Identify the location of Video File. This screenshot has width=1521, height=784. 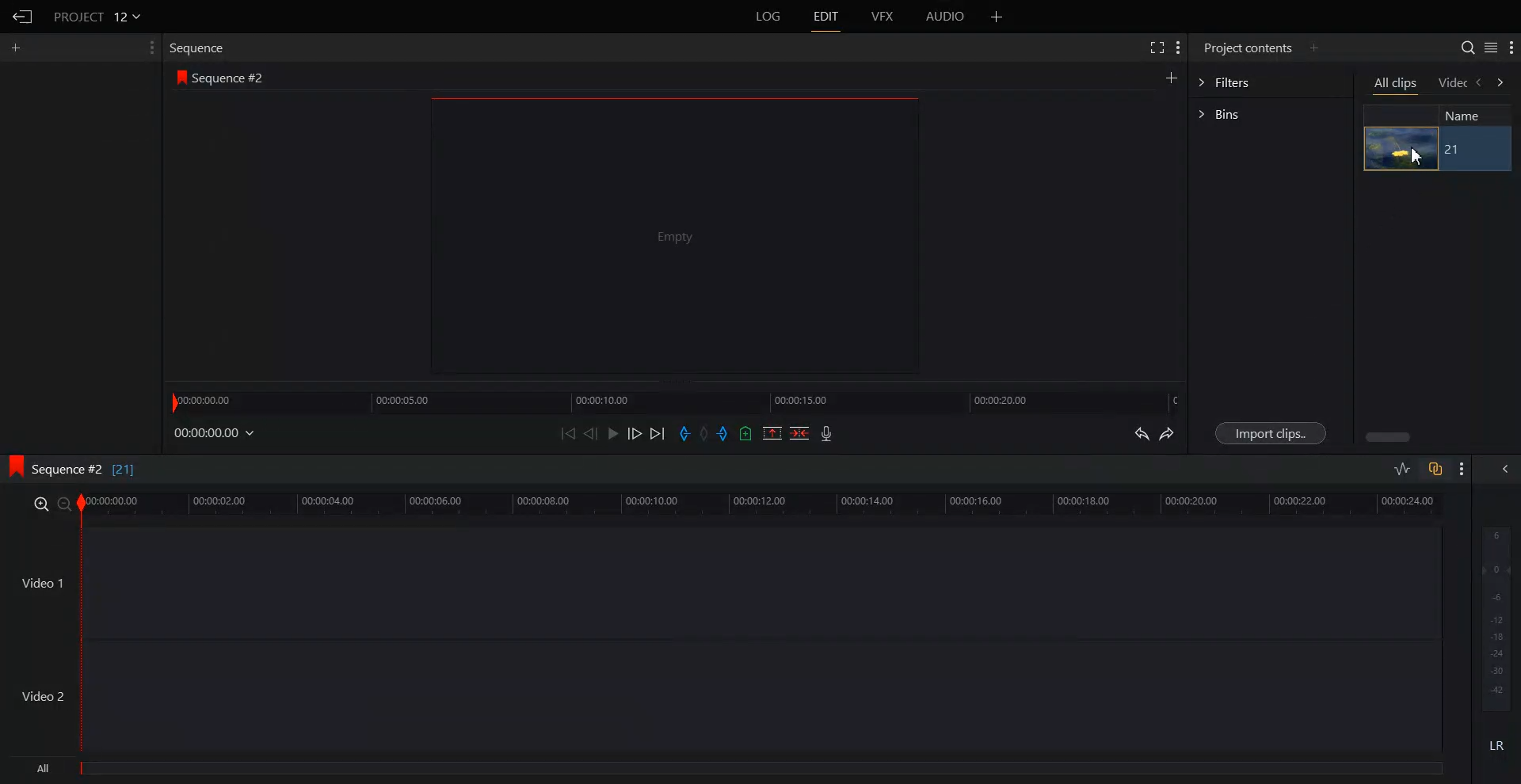
(1401, 149).